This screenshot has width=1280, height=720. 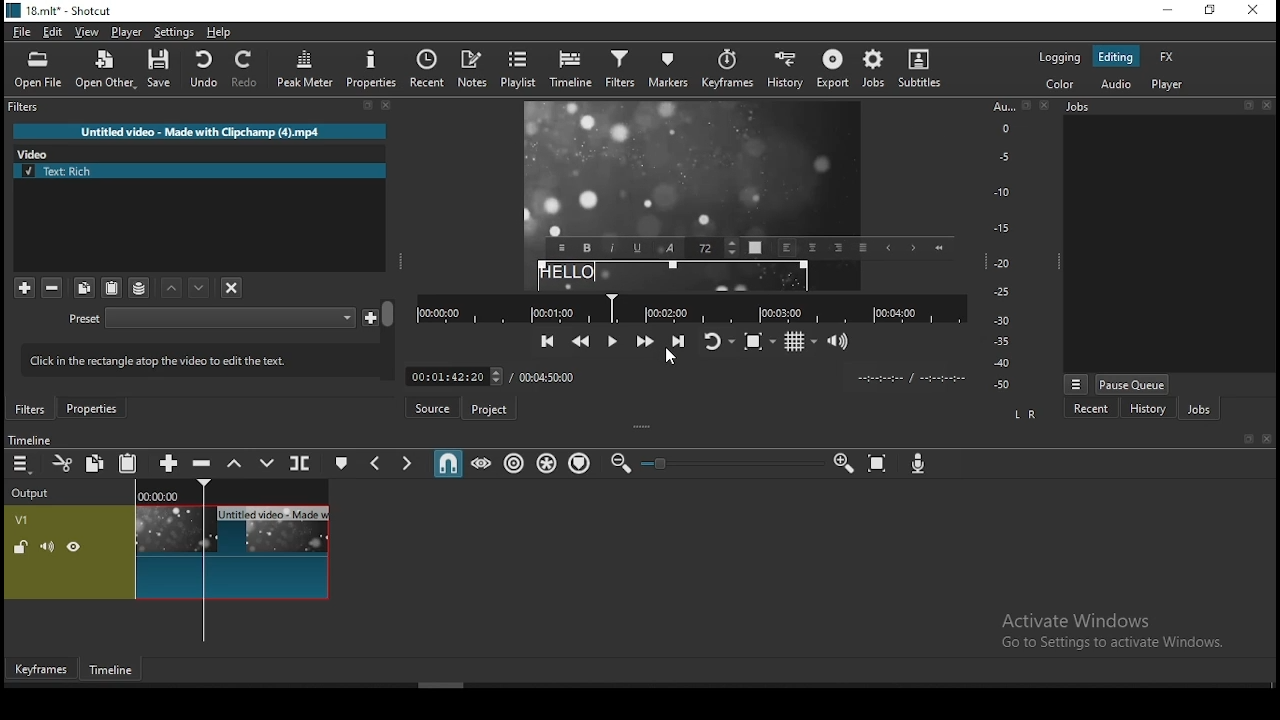 What do you see at coordinates (550, 376) in the screenshot?
I see `total time` at bounding box center [550, 376].